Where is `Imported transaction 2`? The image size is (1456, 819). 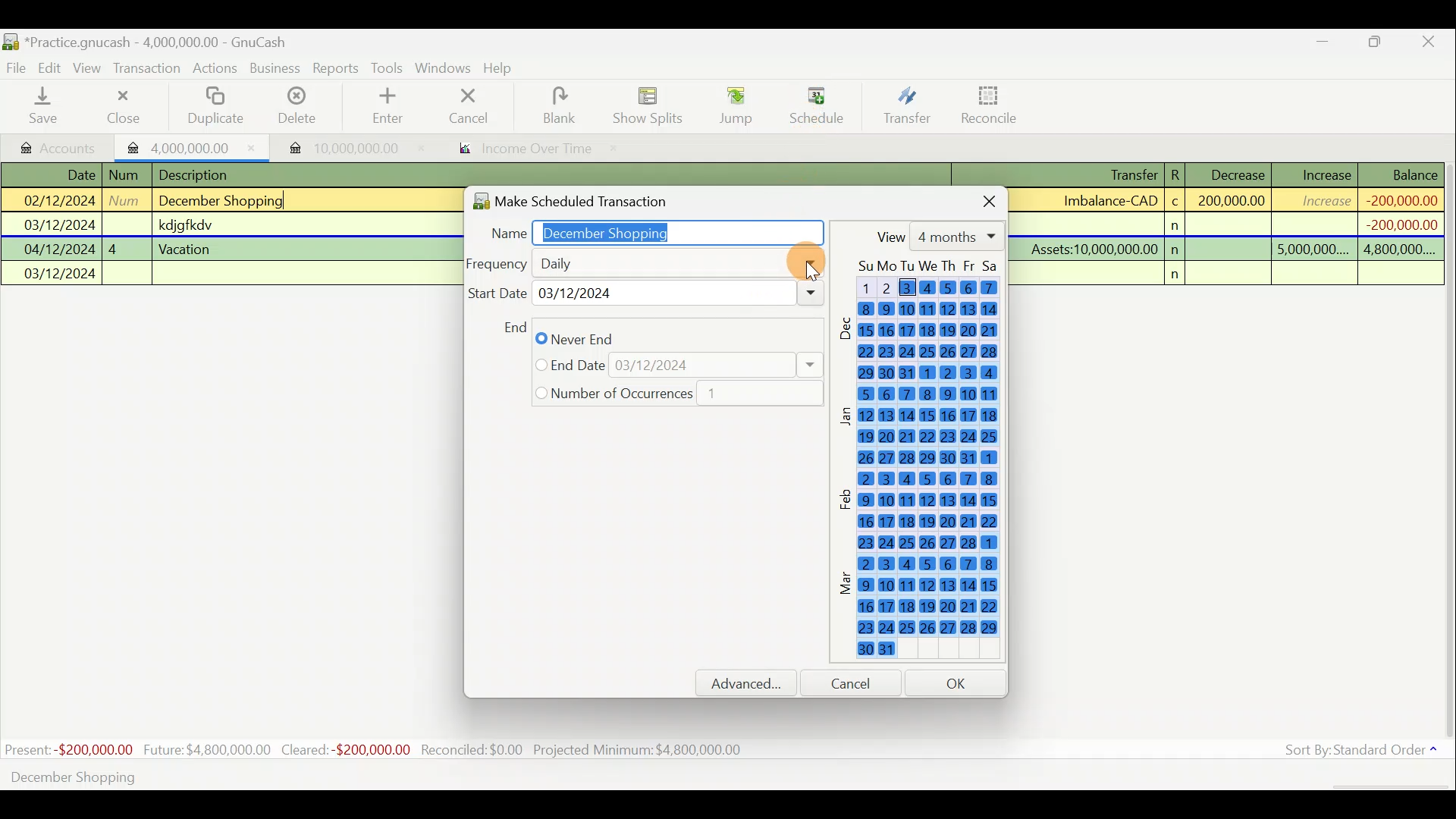 Imported transaction 2 is located at coordinates (339, 148).